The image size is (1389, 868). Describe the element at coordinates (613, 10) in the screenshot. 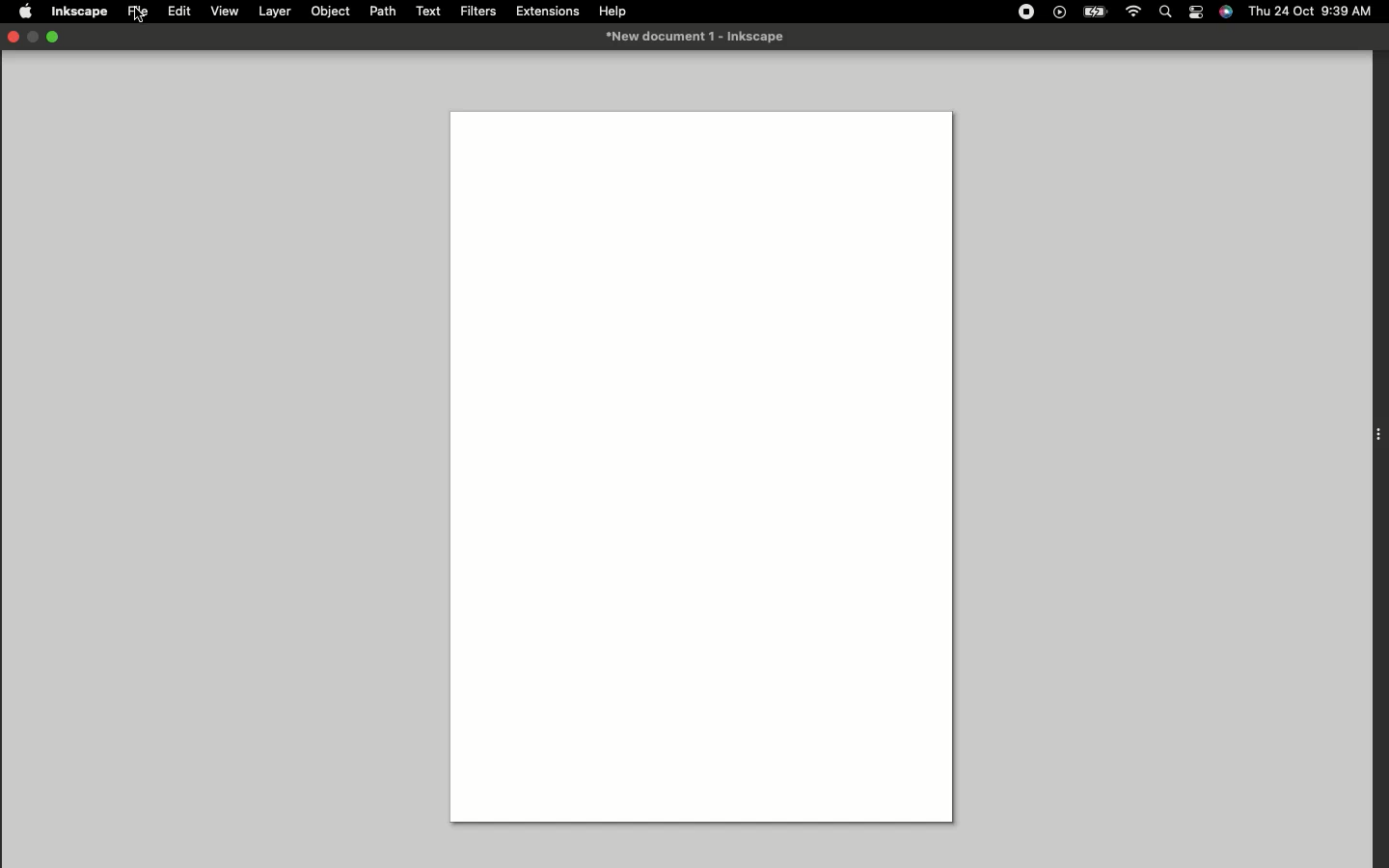

I see `Help` at that location.